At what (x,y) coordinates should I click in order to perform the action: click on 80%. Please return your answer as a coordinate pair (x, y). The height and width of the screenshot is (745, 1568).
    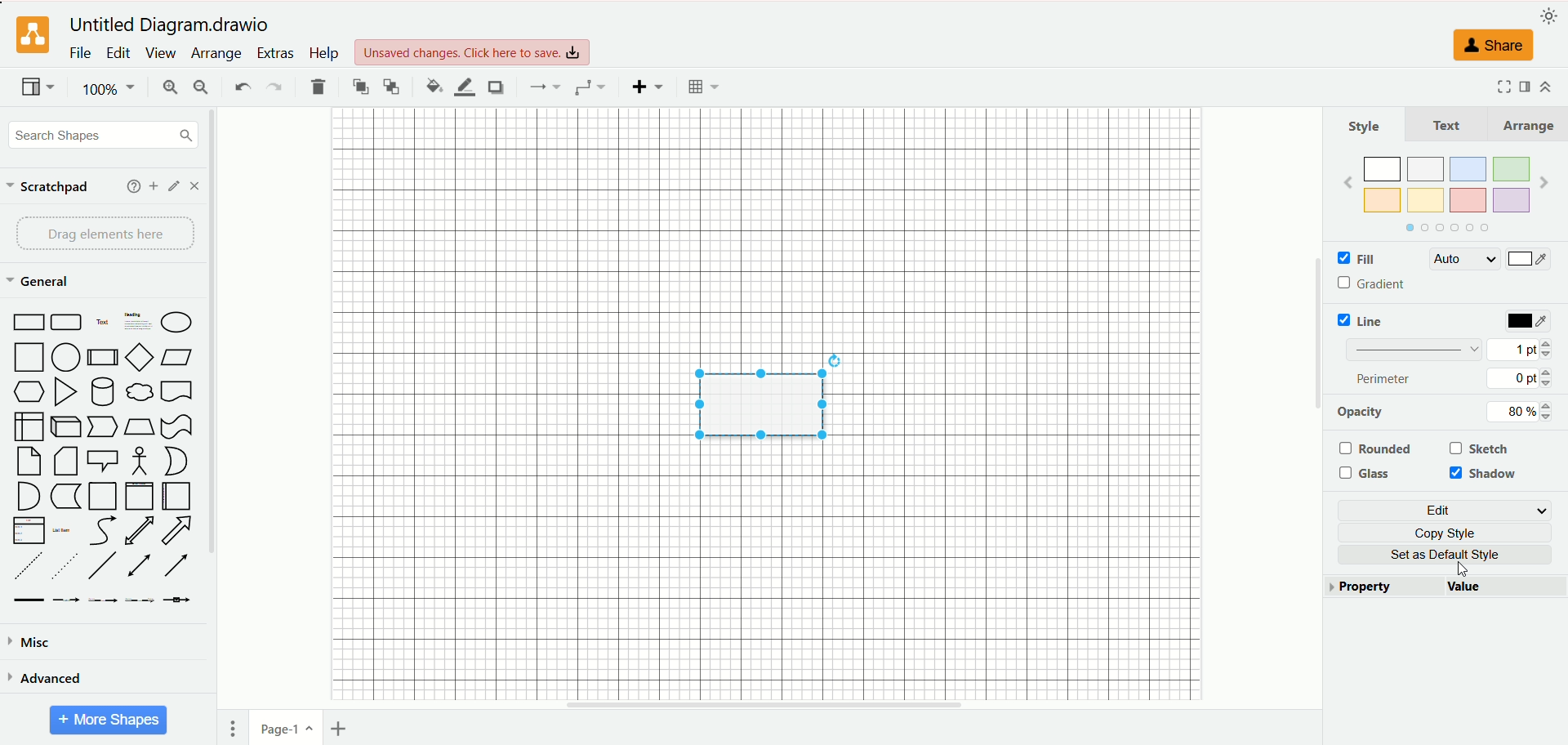
    Looking at the image, I should click on (1516, 412).